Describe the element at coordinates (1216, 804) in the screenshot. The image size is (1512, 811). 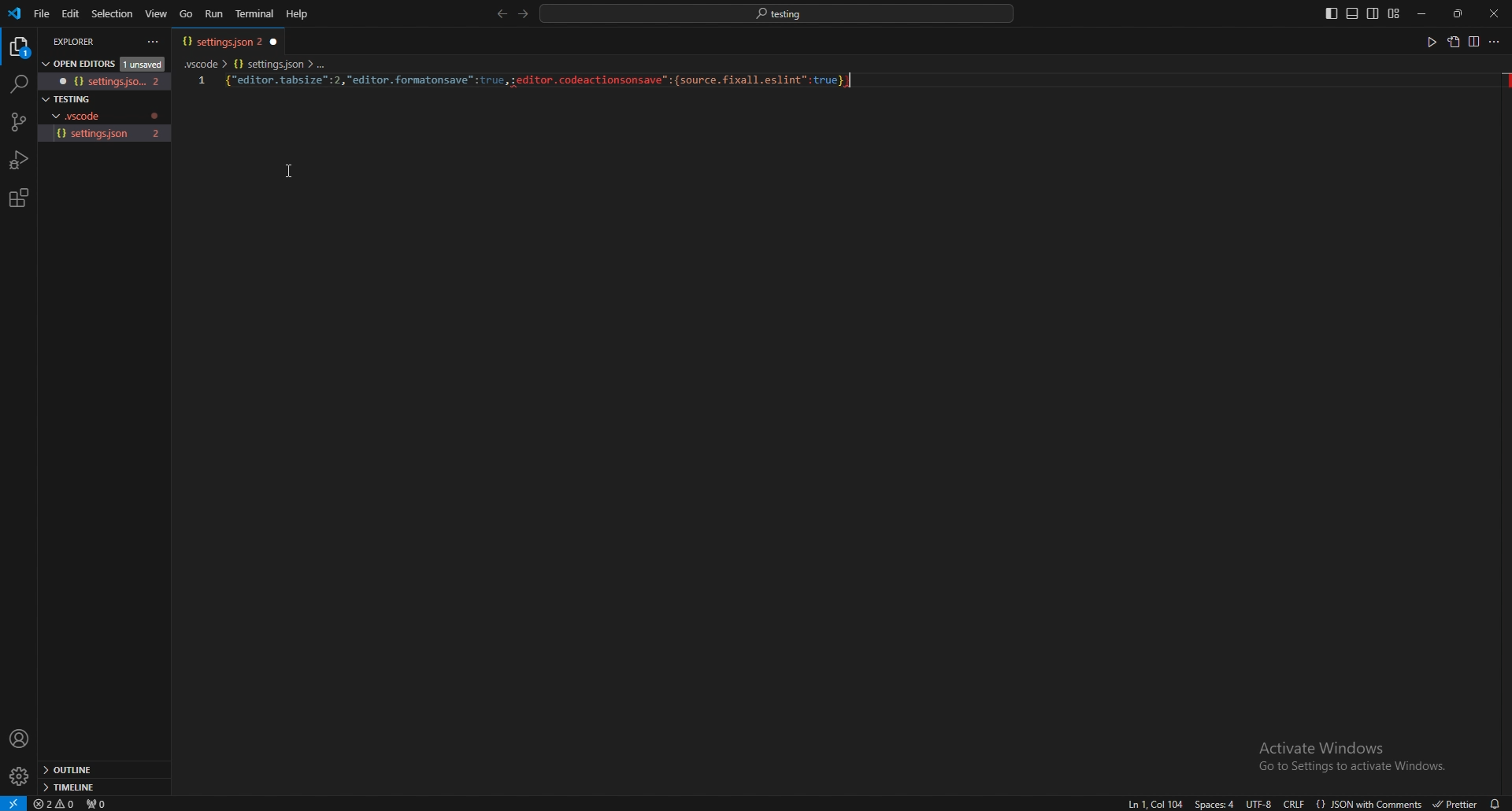
I see `space` at that location.